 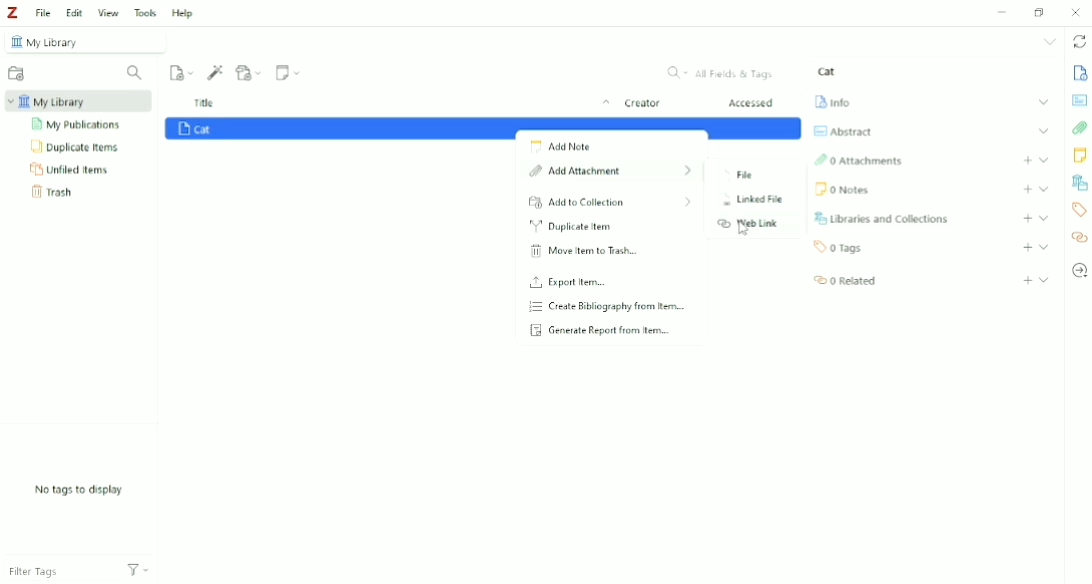 I want to click on Info, so click(x=1079, y=72).